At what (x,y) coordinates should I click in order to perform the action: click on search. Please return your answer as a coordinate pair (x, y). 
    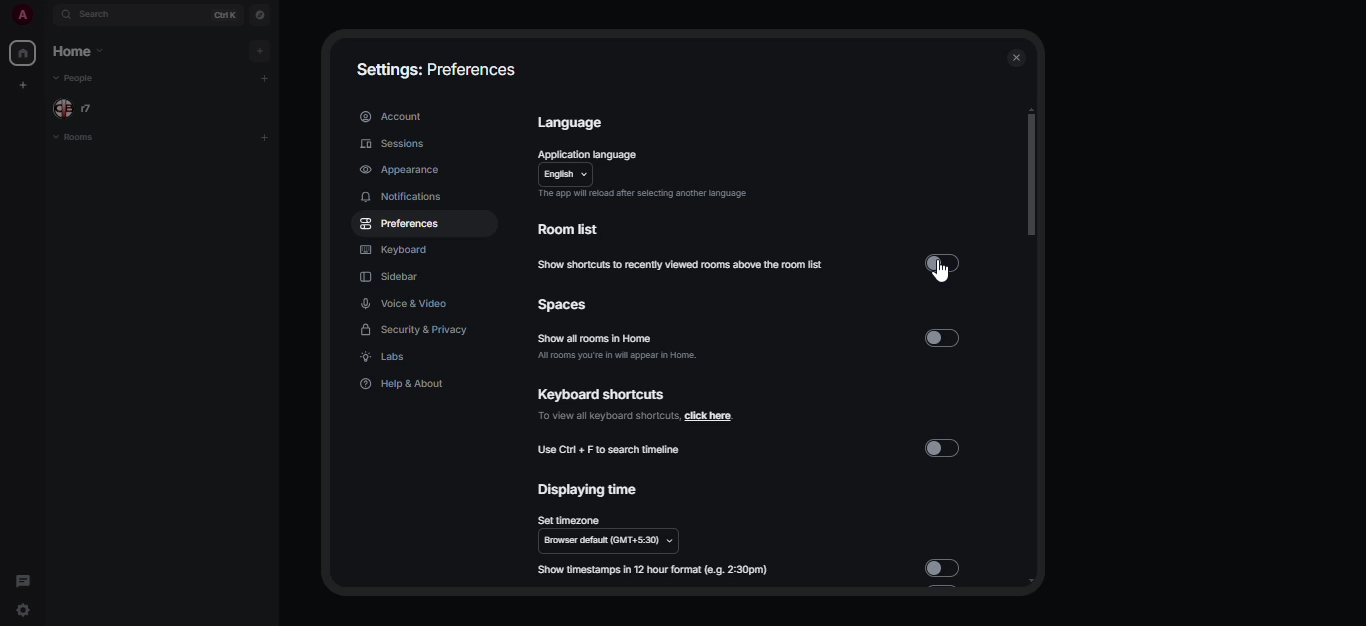
    Looking at the image, I should click on (100, 16).